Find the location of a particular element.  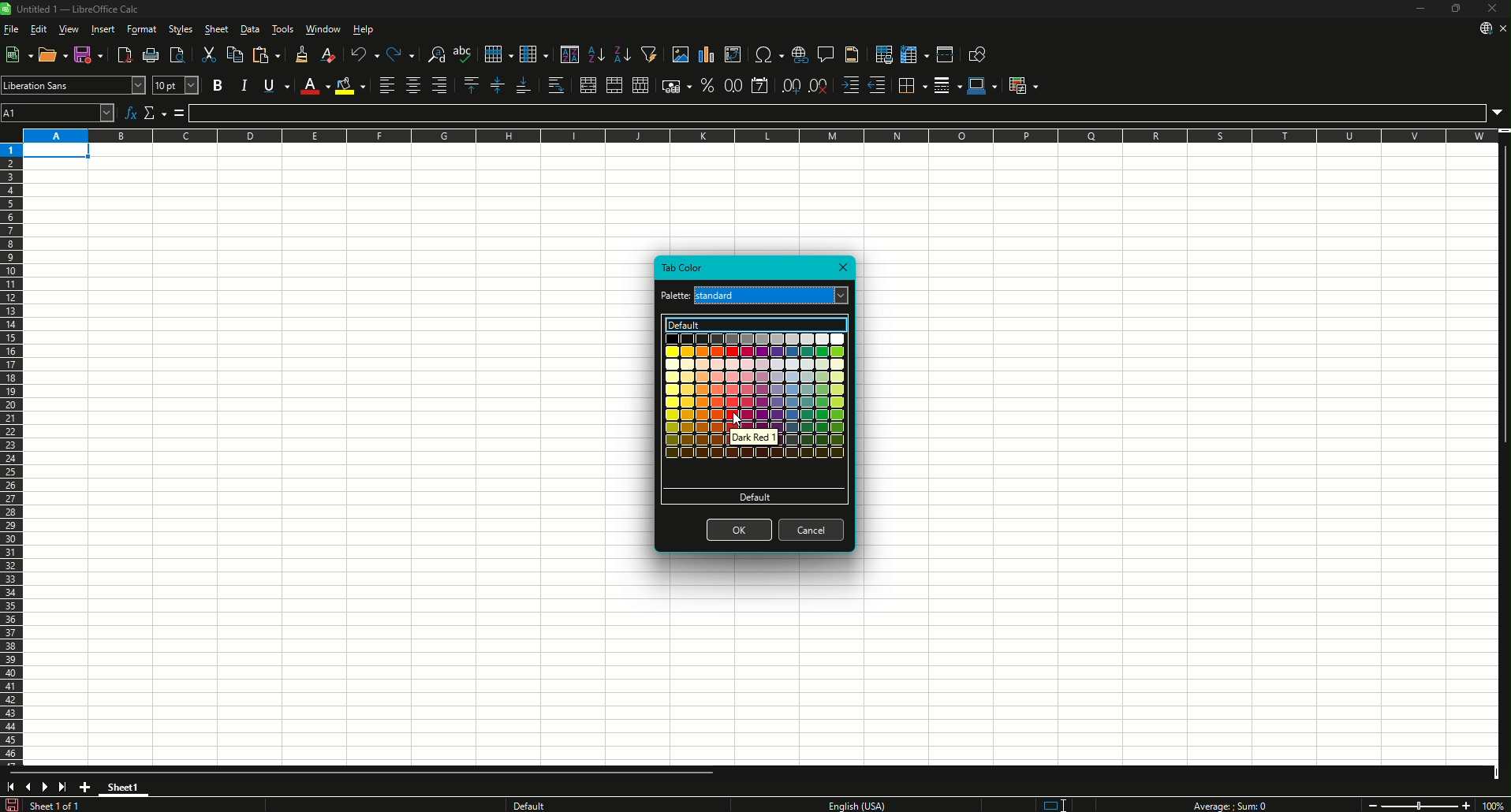

Bold is located at coordinates (218, 85).